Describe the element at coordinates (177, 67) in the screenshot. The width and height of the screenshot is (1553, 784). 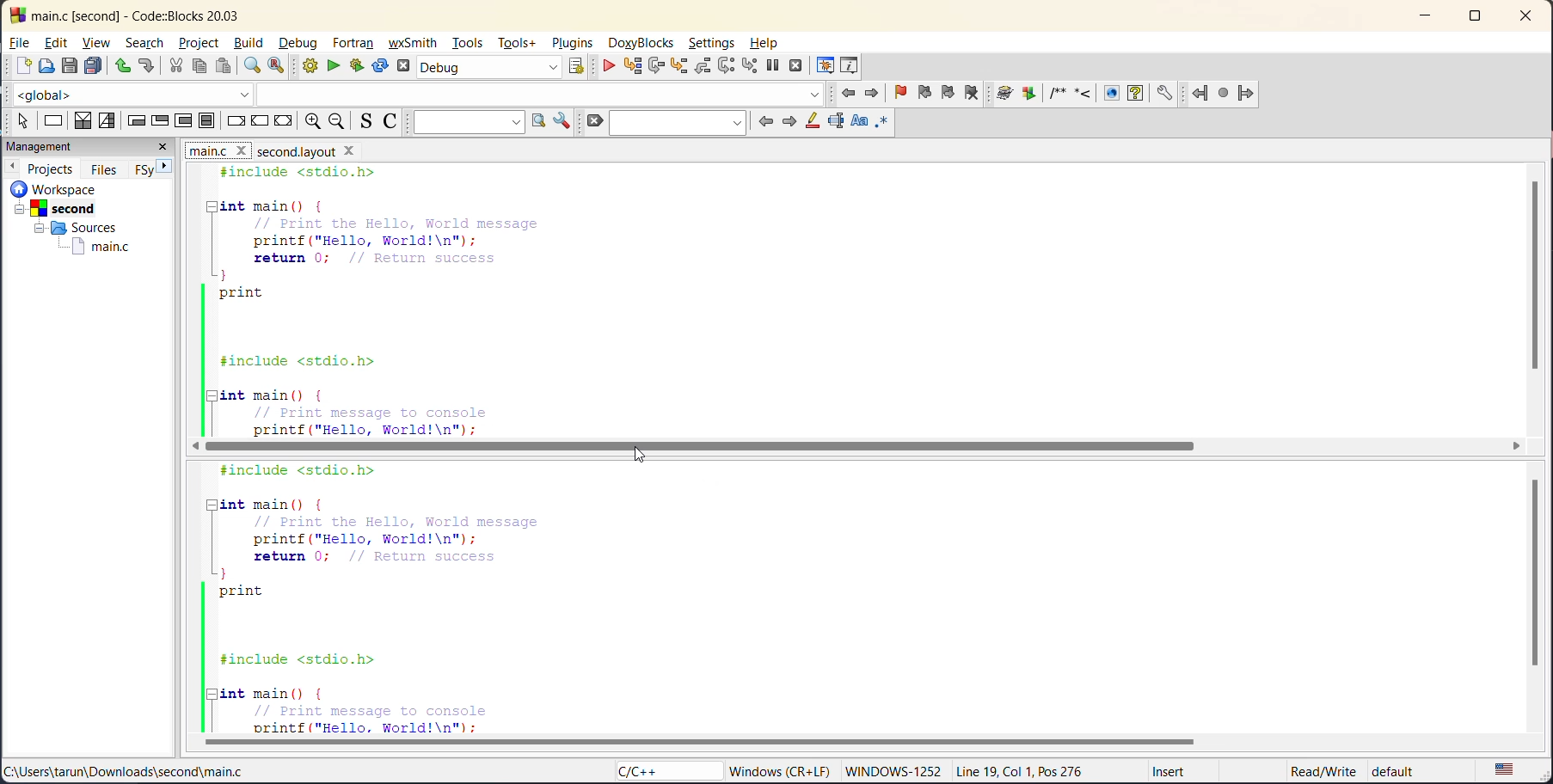
I see `cut` at that location.